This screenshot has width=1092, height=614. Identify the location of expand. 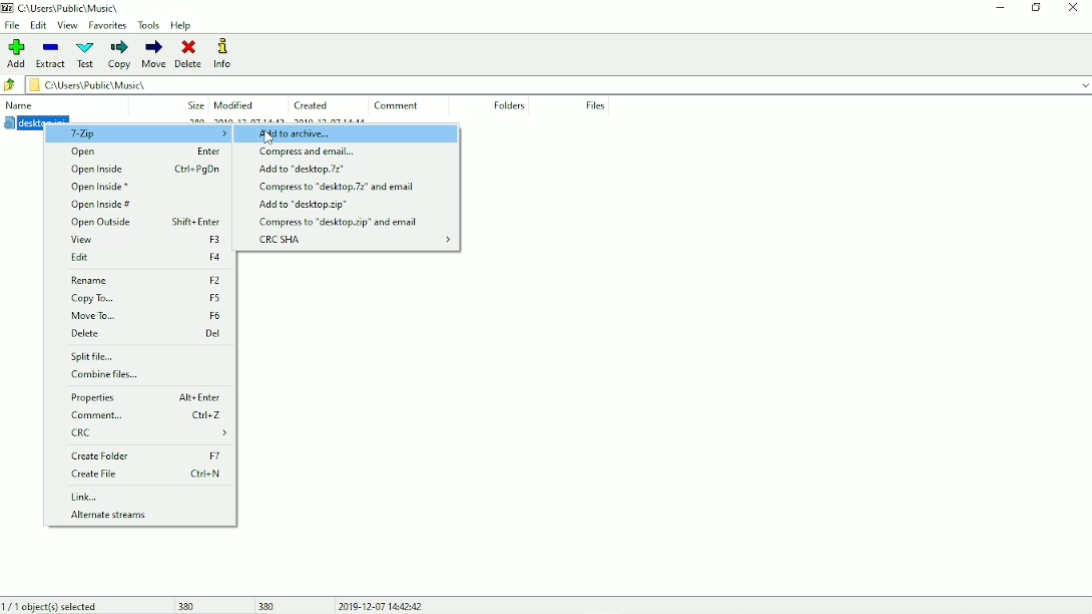
(449, 241).